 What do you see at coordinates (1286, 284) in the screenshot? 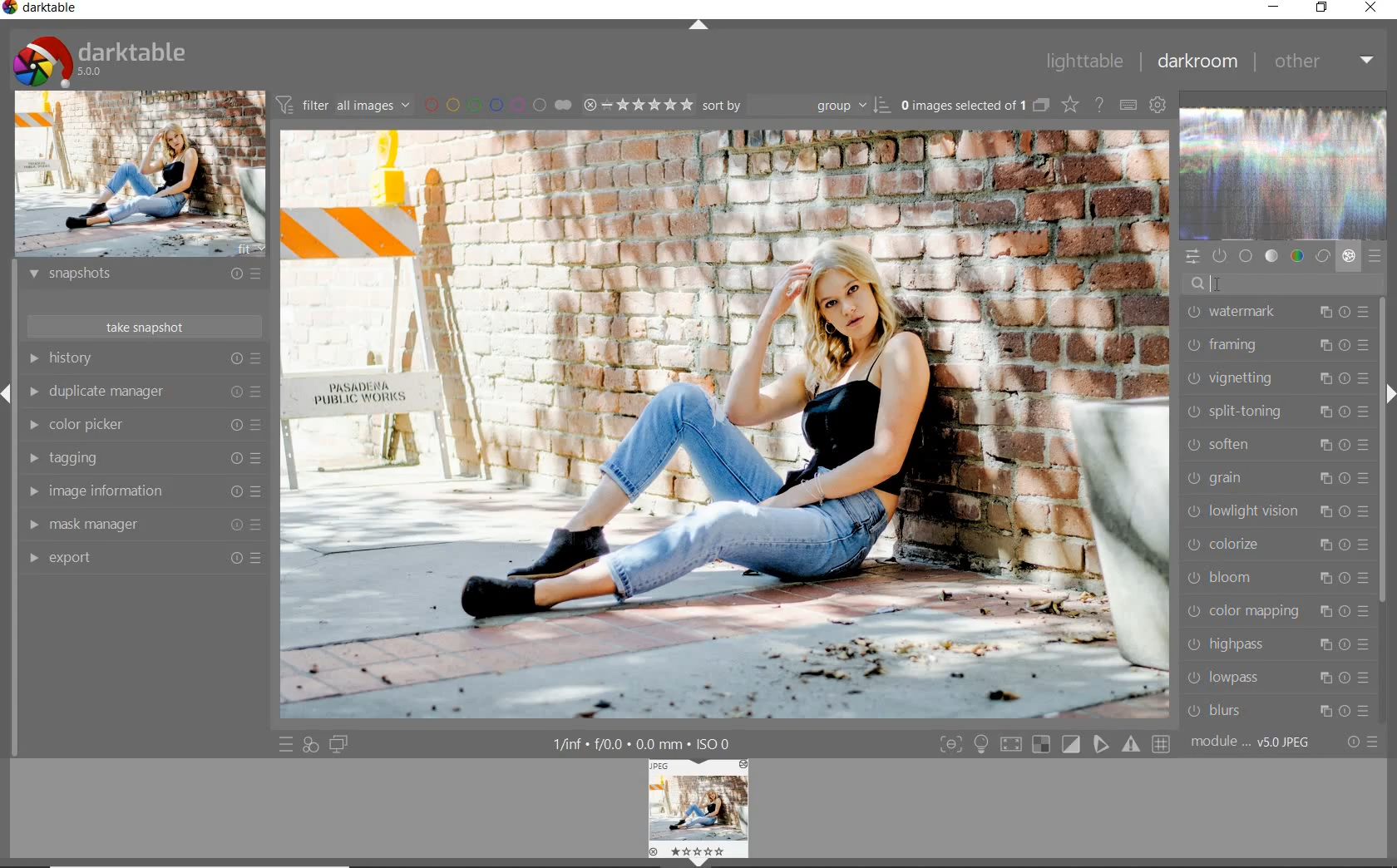
I see `search modules by name` at bounding box center [1286, 284].